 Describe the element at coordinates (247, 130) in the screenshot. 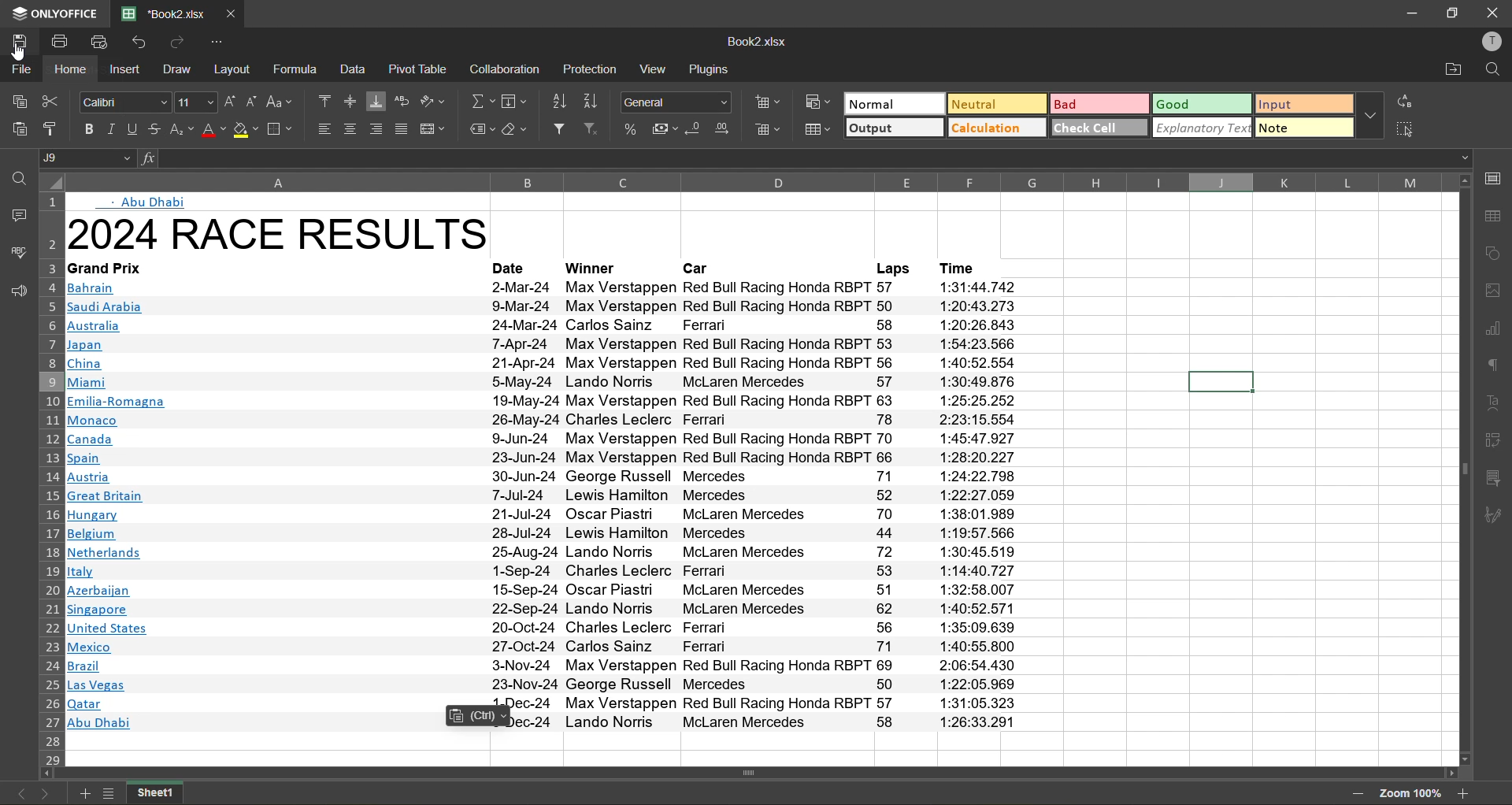

I see `fill color` at that location.